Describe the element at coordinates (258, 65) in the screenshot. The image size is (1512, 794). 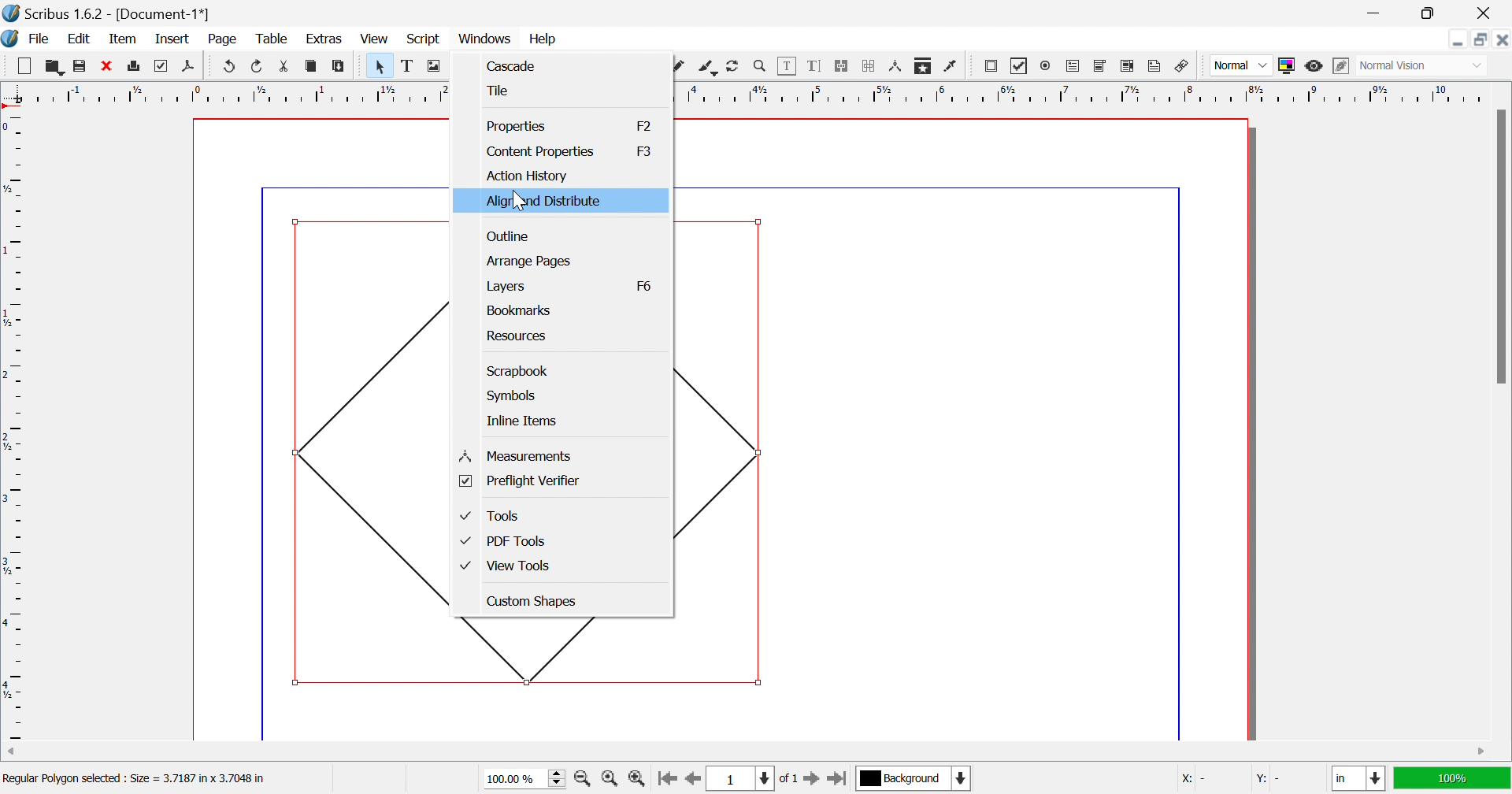
I see `Redo` at that location.